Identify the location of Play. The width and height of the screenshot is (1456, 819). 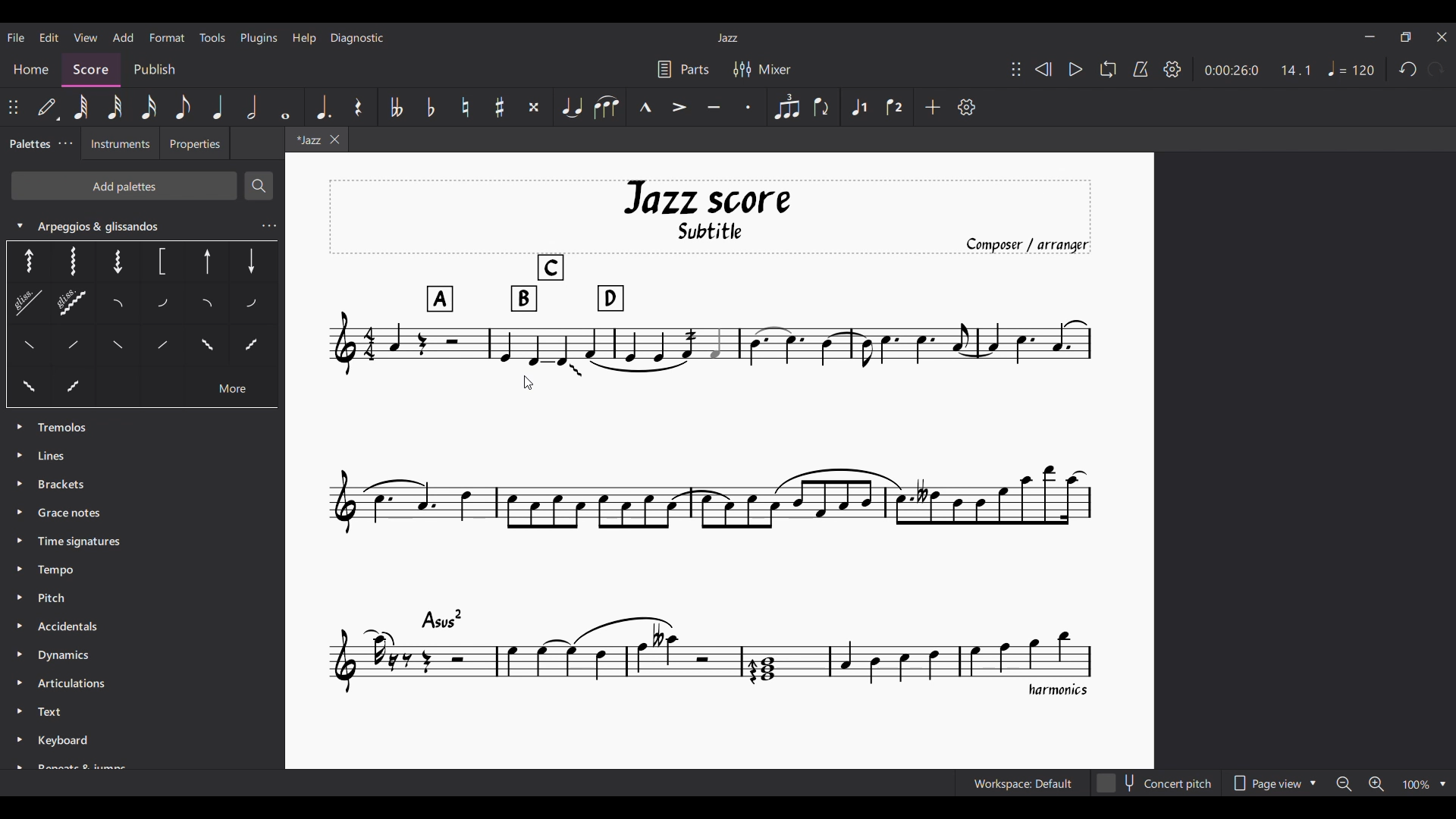
(1075, 70).